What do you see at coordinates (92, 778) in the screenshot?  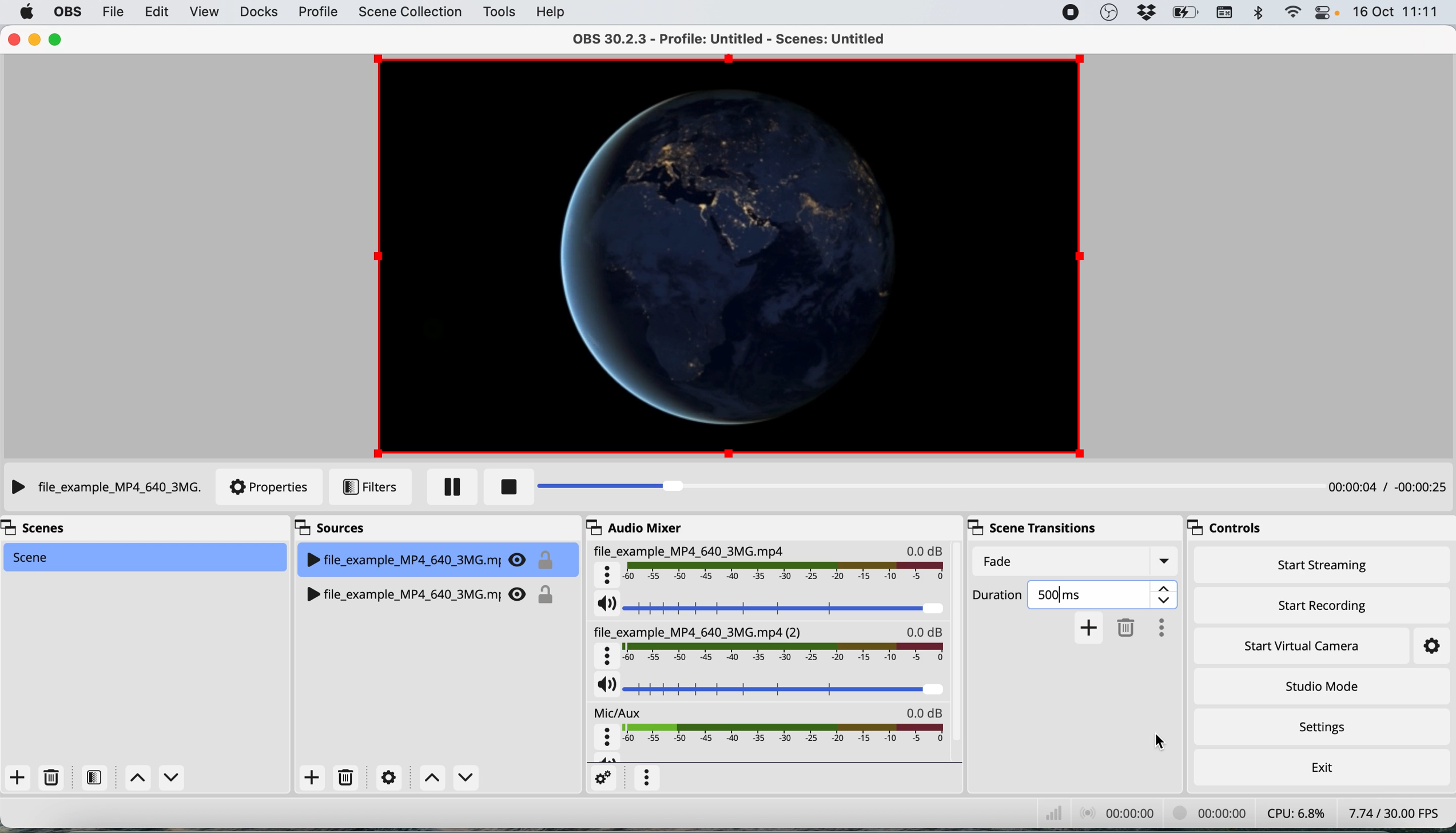 I see `filters` at bounding box center [92, 778].